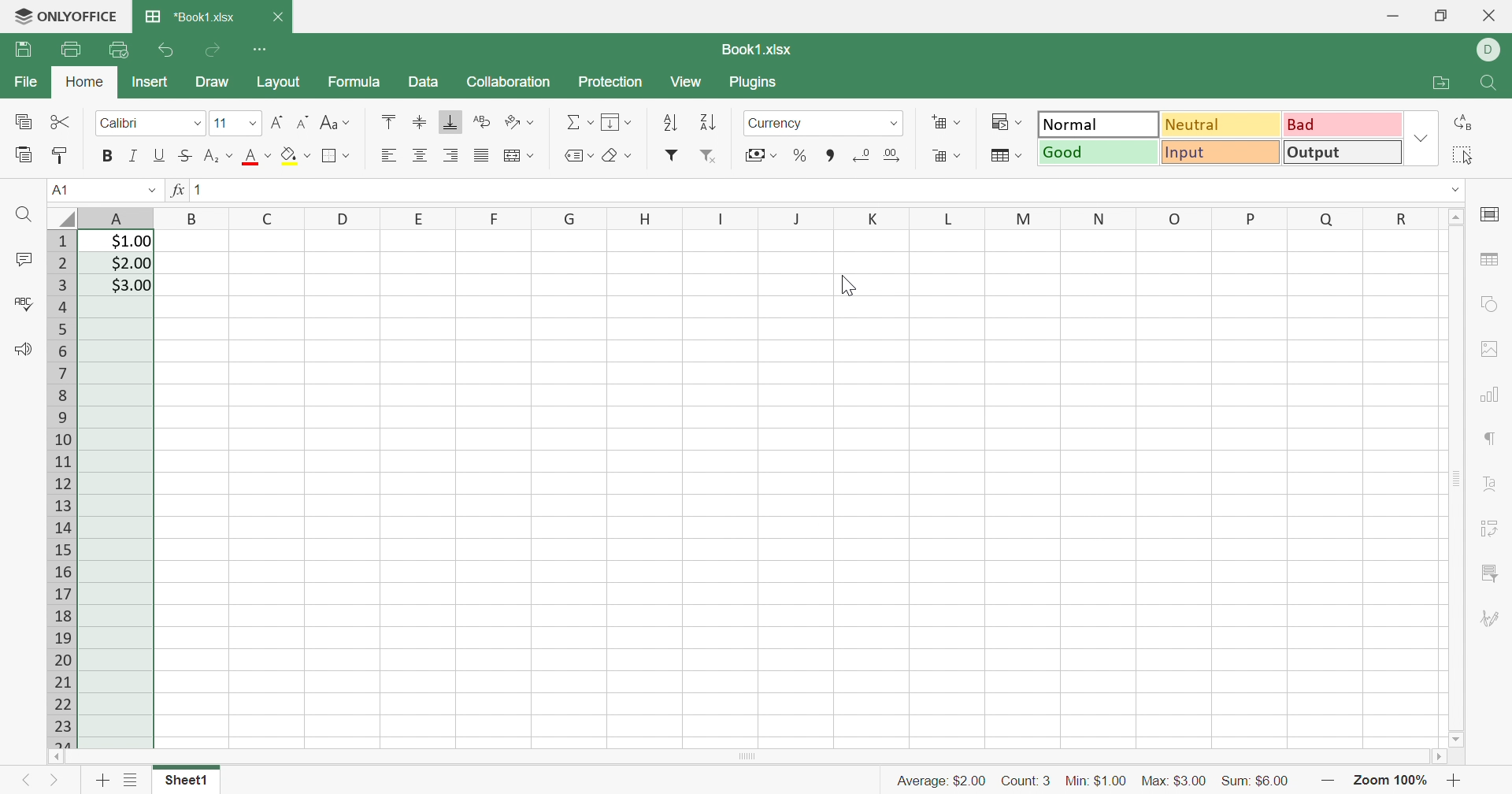 This screenshot has height=794, width=1512. Describe the element at coordinates (832, 156) in the screenshot. I see `Comma style` at that location.